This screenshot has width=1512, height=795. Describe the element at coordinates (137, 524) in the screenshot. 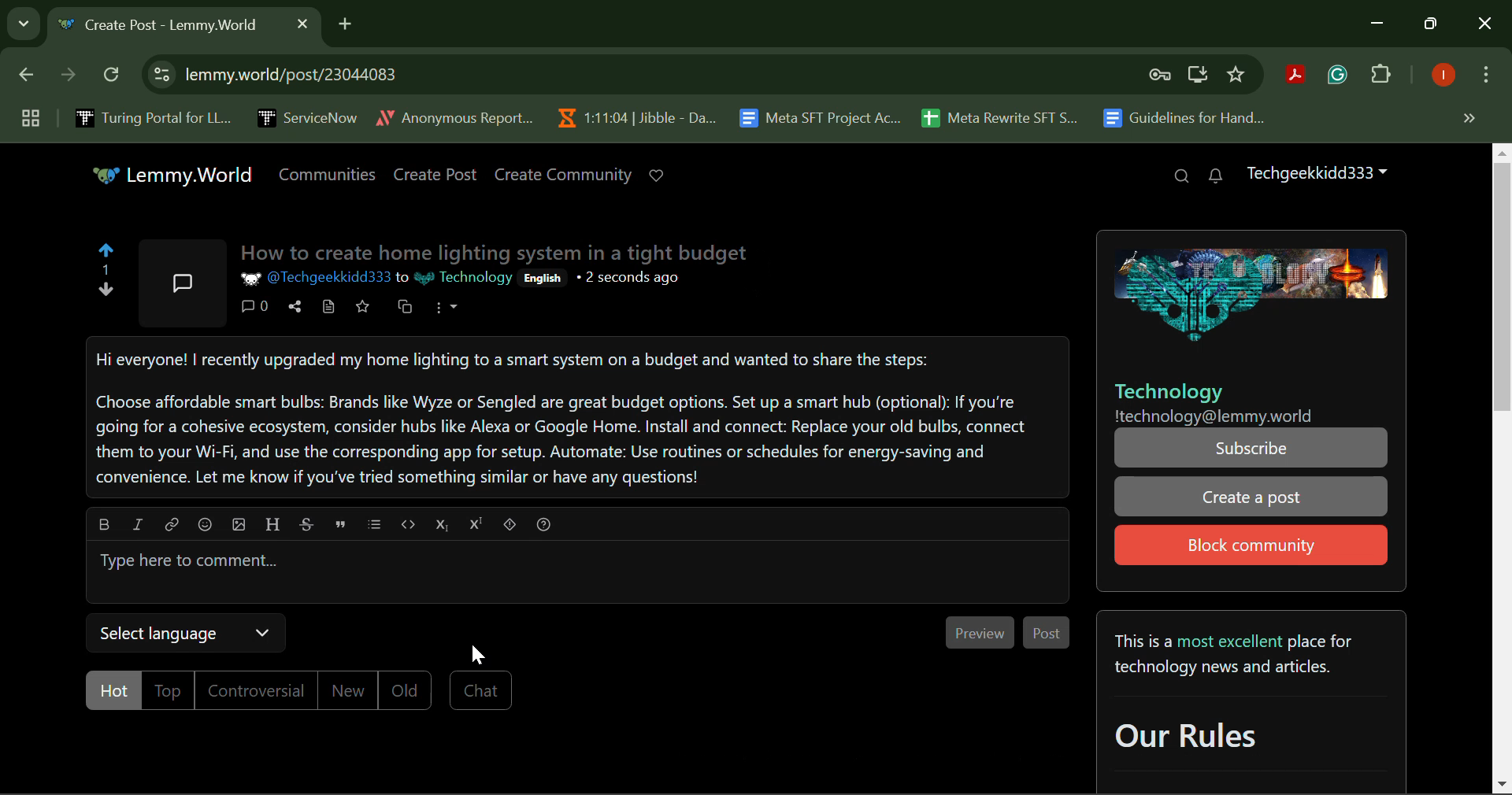

I see `italic` at that location.